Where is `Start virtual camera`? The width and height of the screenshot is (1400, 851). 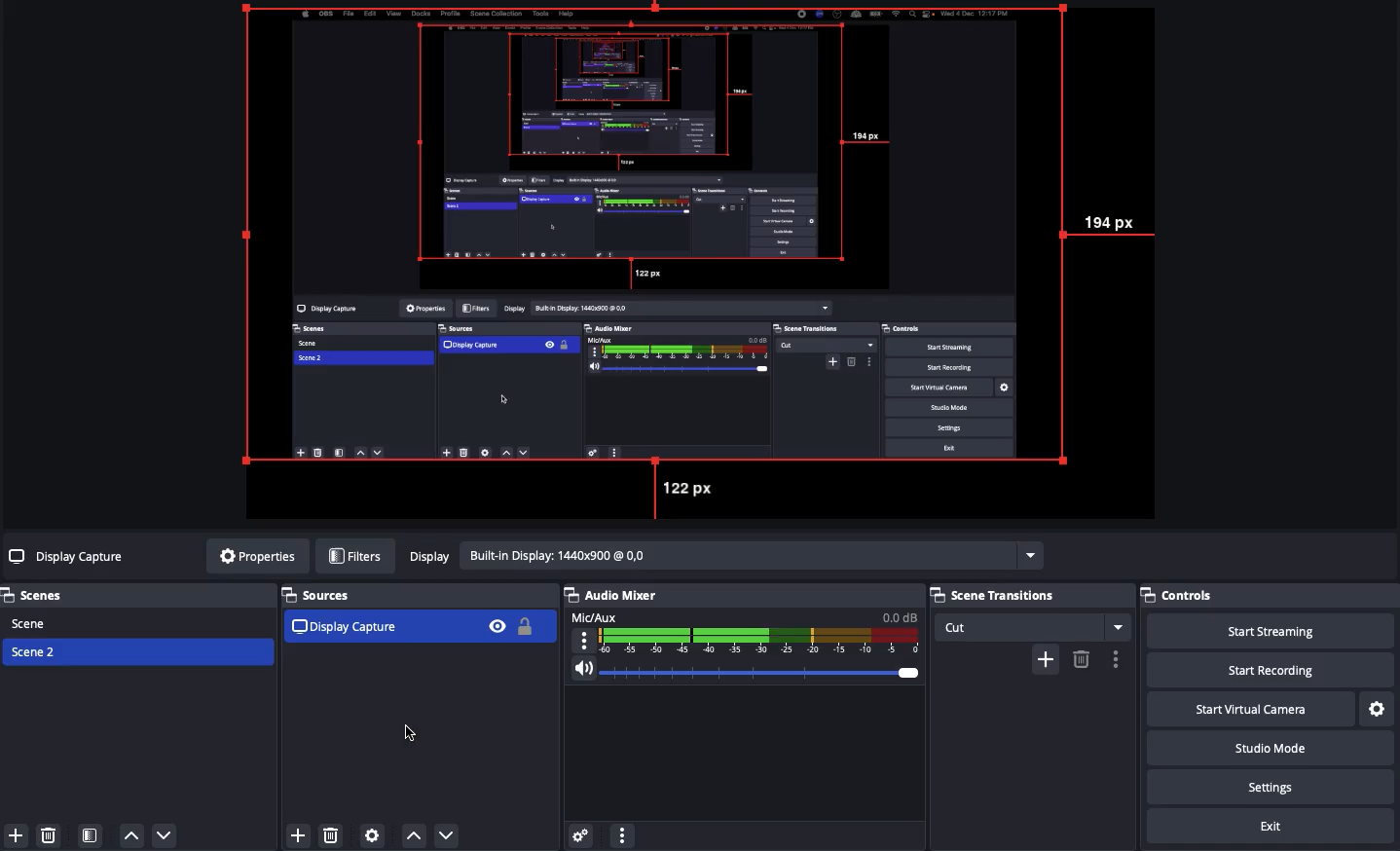 Start virtual camera is located at coordinates (1247, 707).